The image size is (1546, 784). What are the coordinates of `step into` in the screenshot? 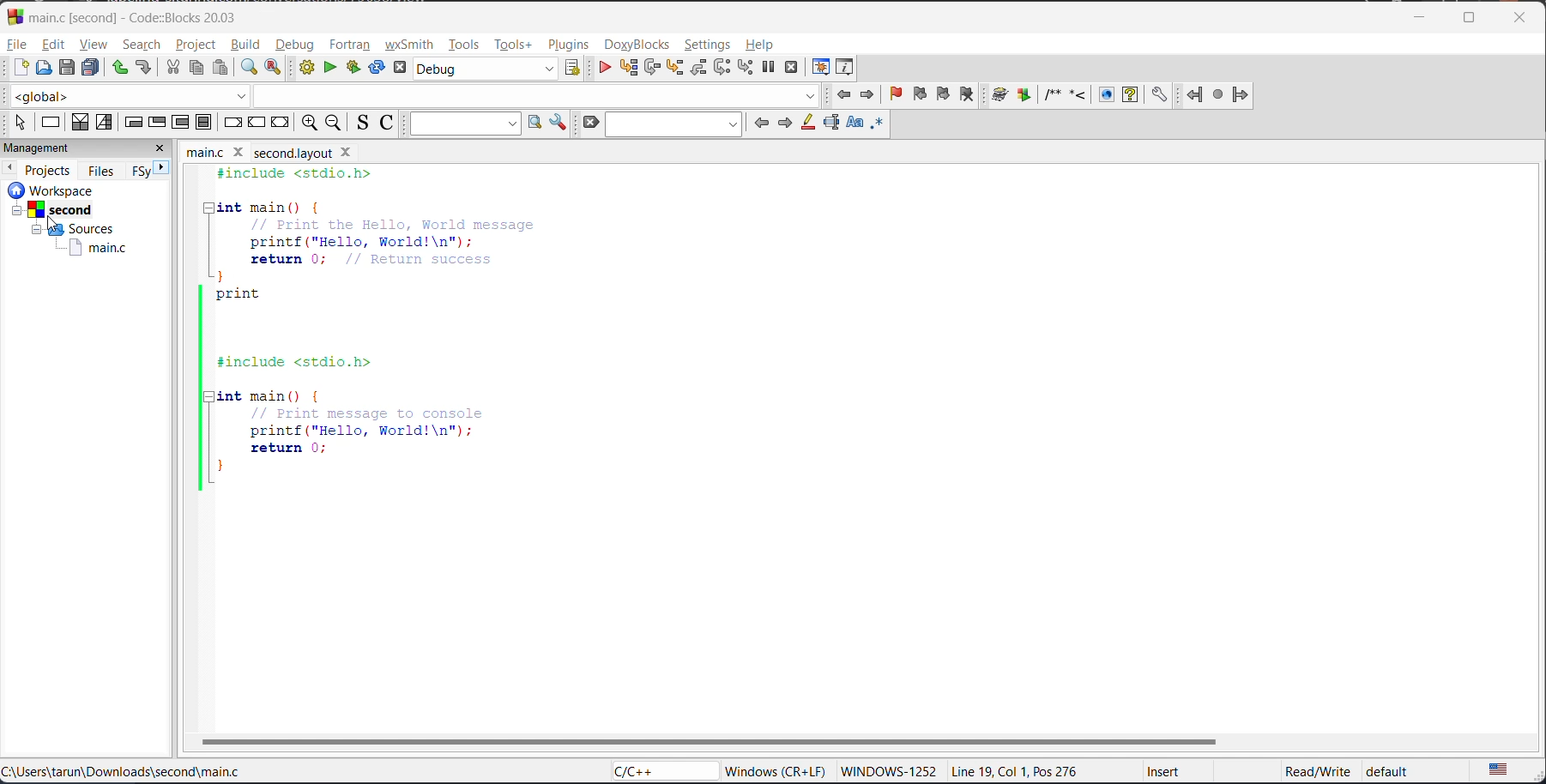 It's located at (674, 70).